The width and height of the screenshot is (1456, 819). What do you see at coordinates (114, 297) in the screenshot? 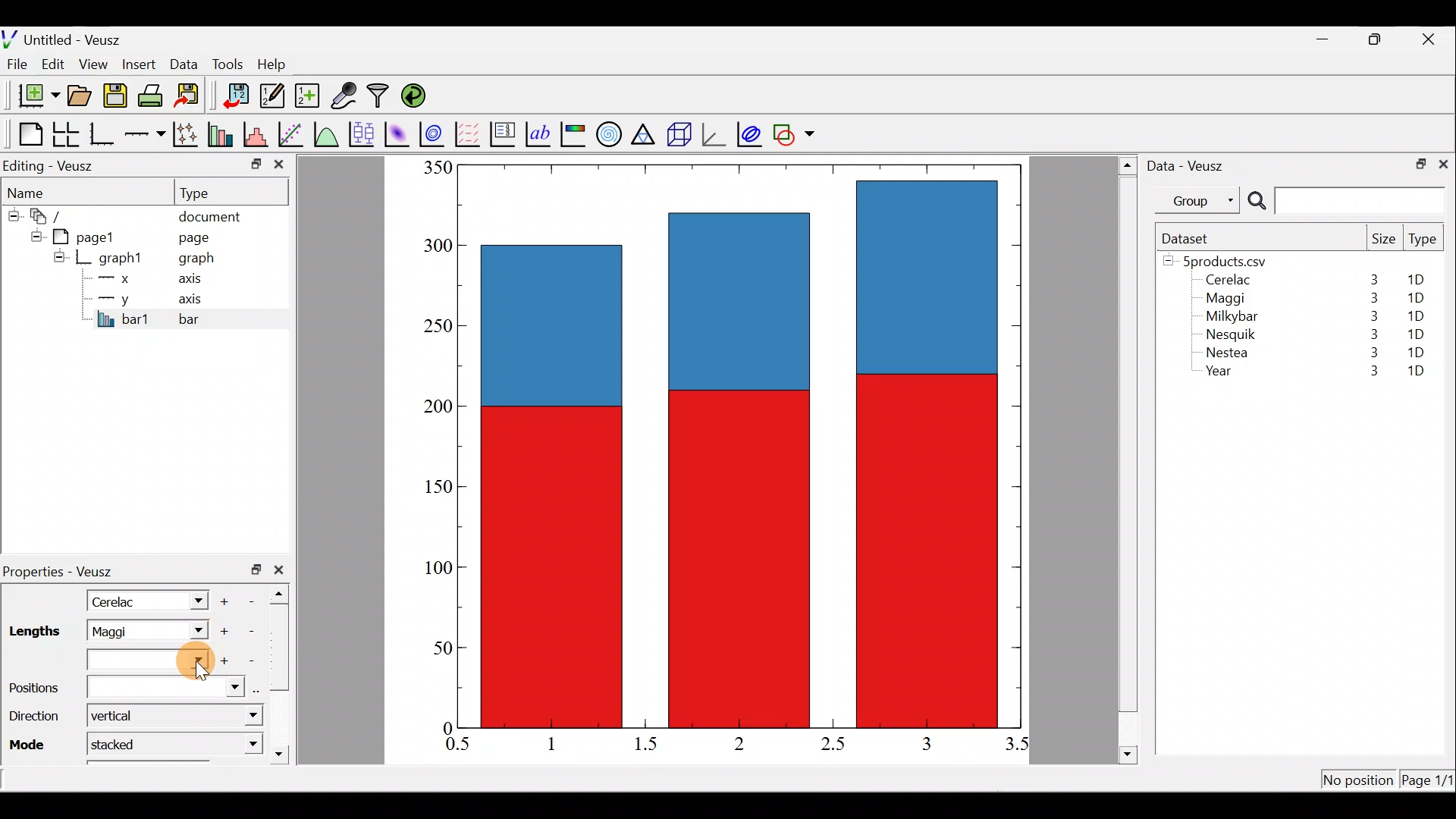
I see `y` at bounding box center [114, 297].